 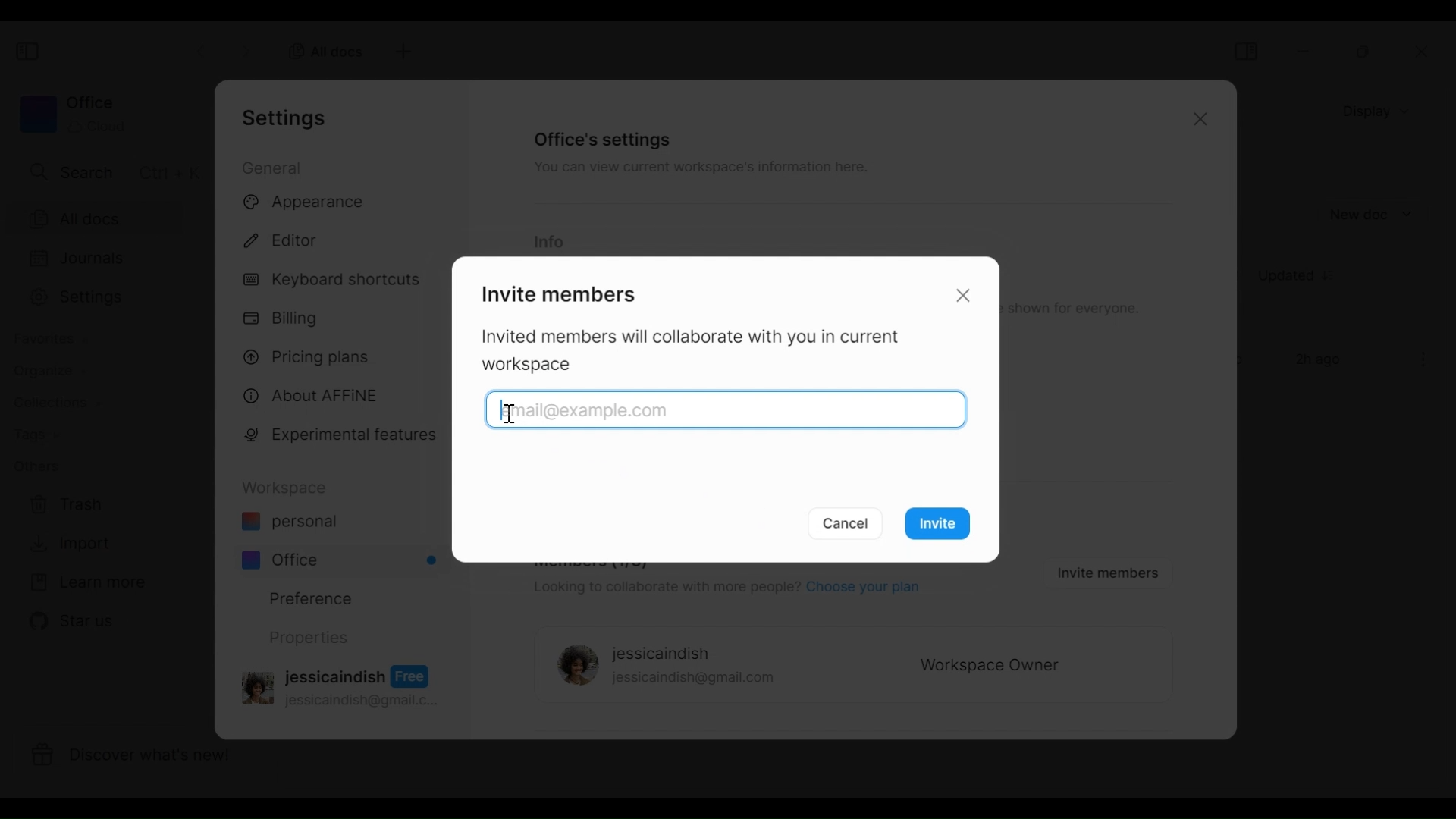 I want to click on Close, so click(x=1197, y=121).